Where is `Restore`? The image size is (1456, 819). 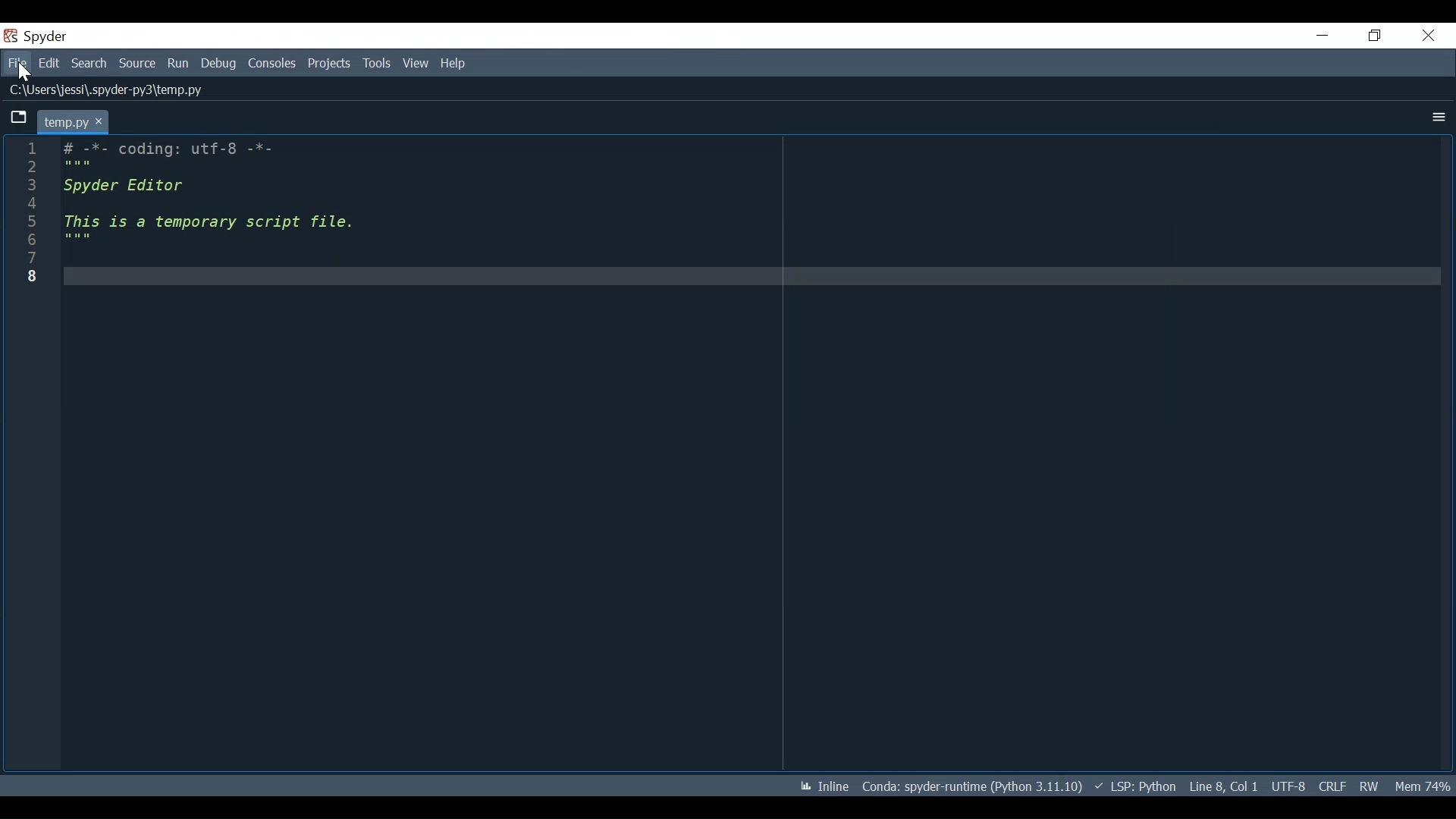
Restore is located at coordinates (1377, 35).